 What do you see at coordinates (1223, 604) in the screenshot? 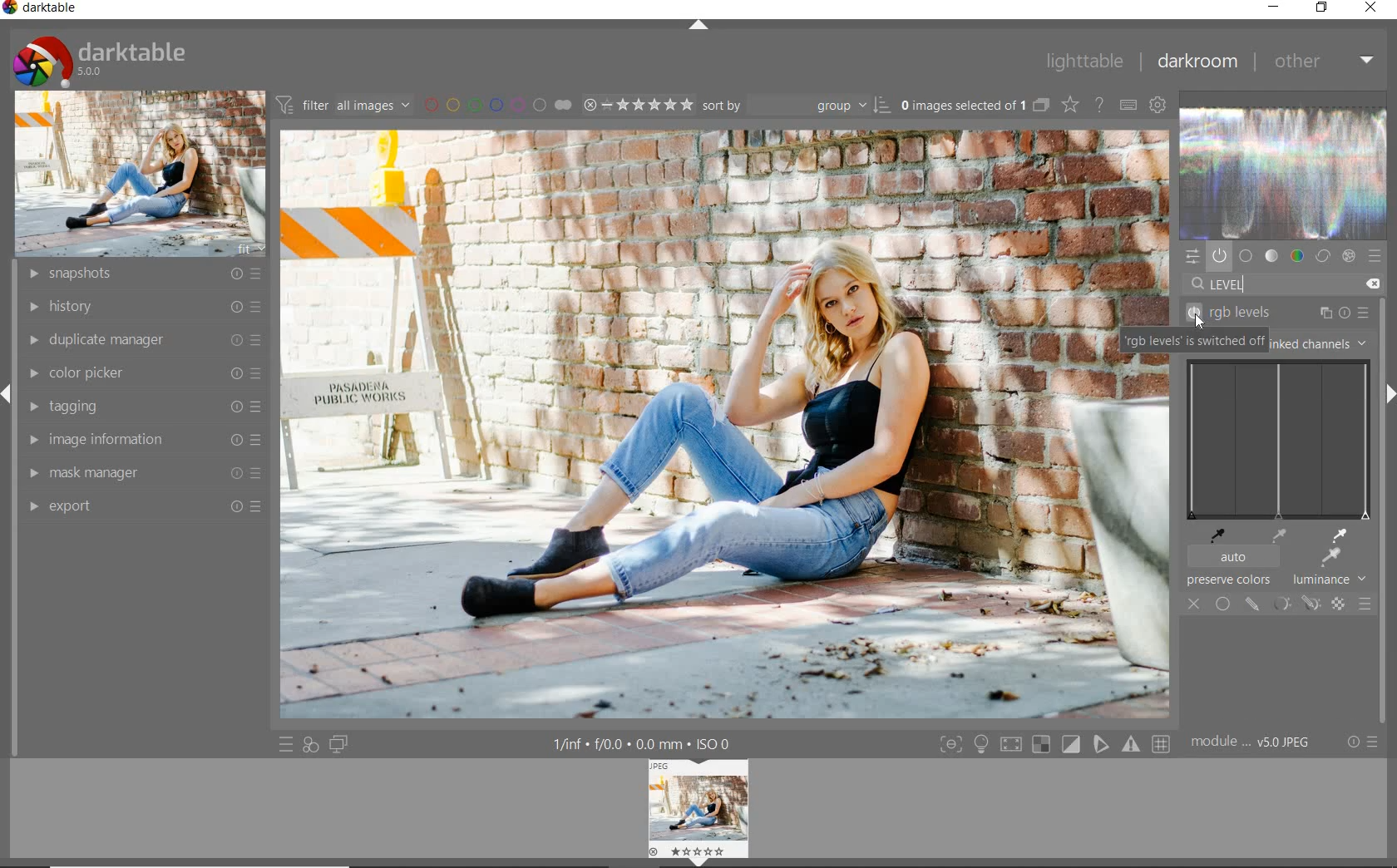
I see `uniformly` at bounding box center [1223, 604].